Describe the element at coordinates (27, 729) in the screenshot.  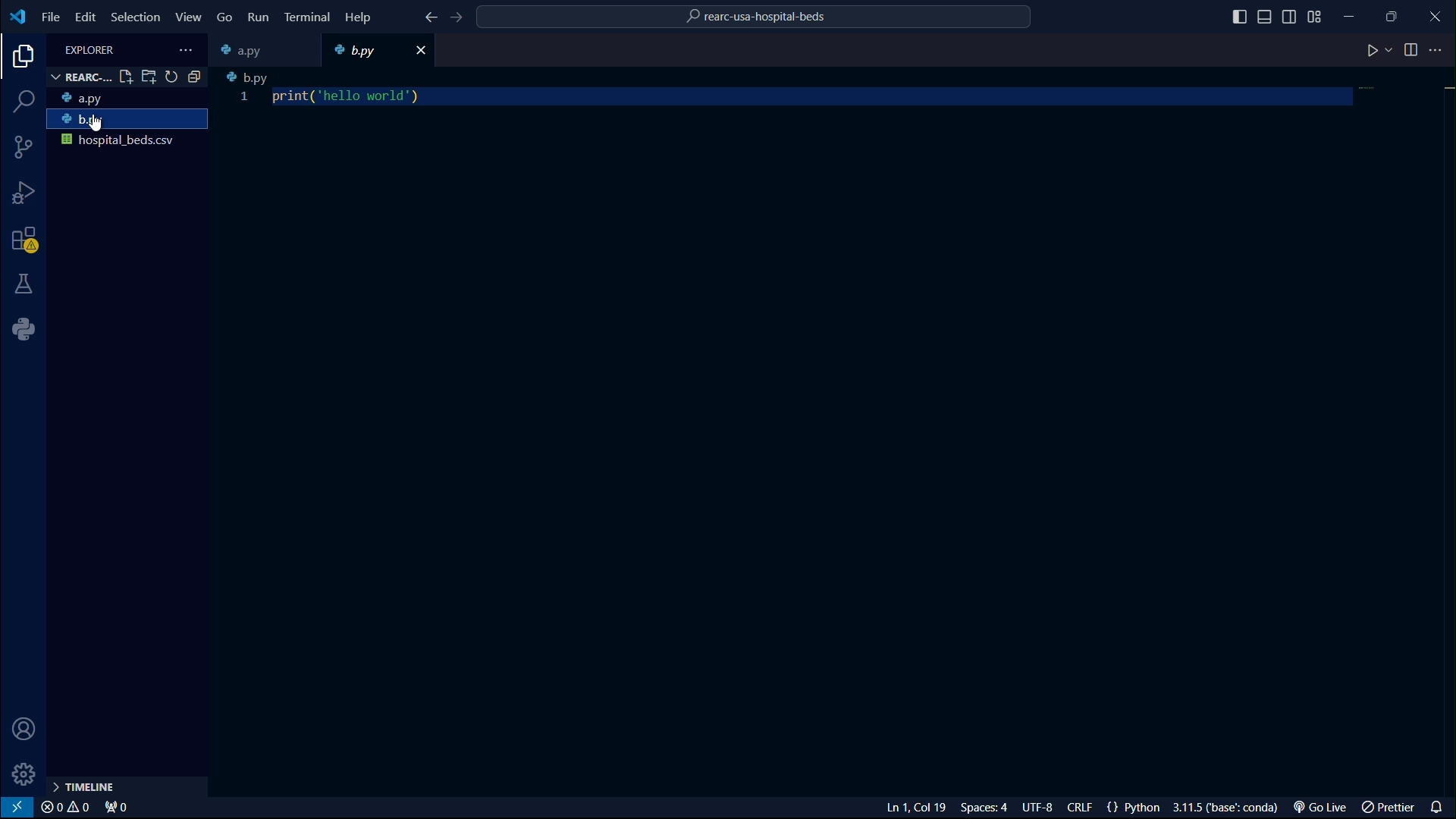
I see `account` at that location.